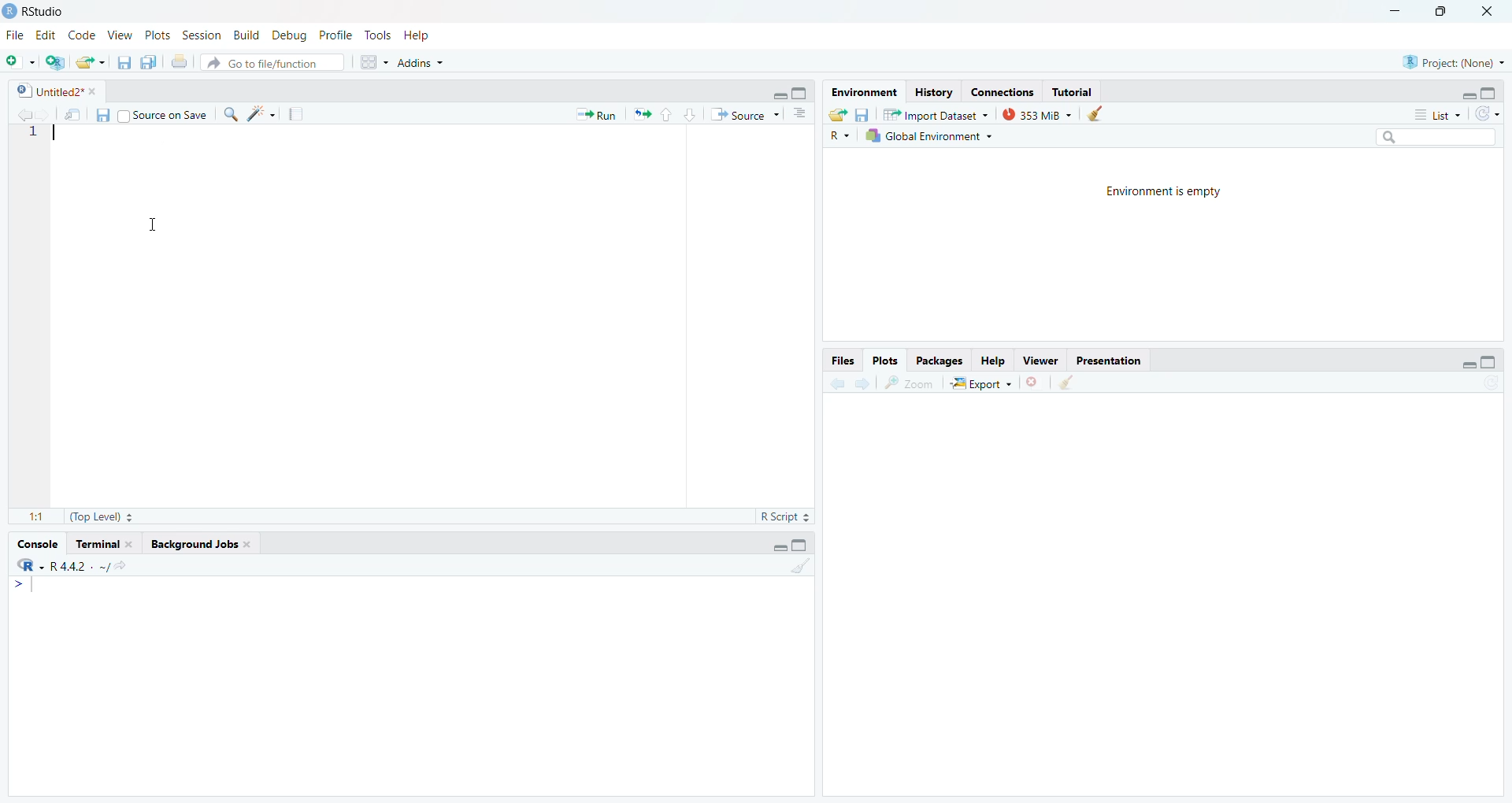  Describe the element at coordinates (1440, 139) in the screenshot. I see `search bar` at that location.